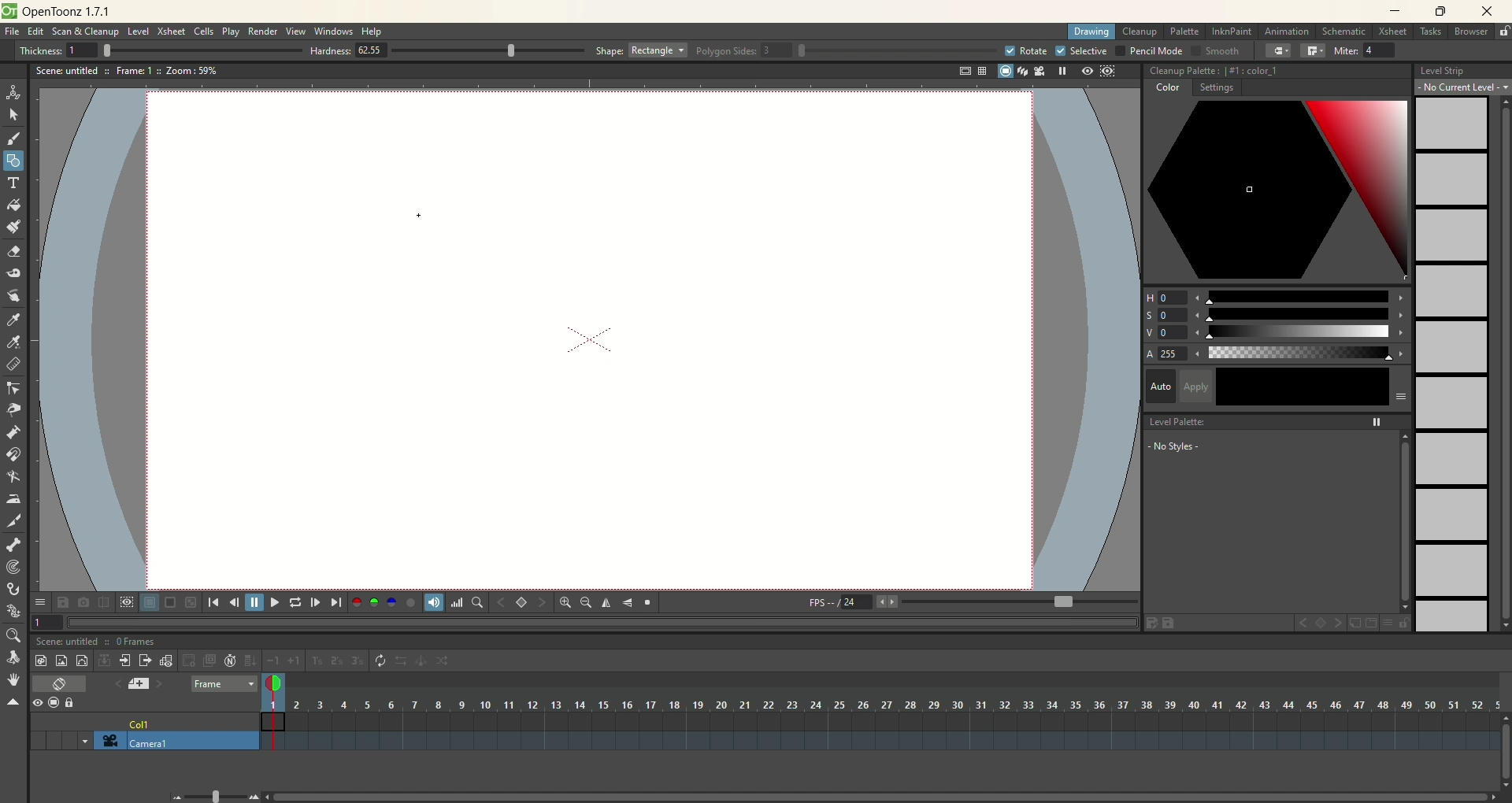 The height and width of the screenshot is (803, 1512). Describe the element at coordinates (13, 159) in the screenshot. I see `geometry tool` at that location.